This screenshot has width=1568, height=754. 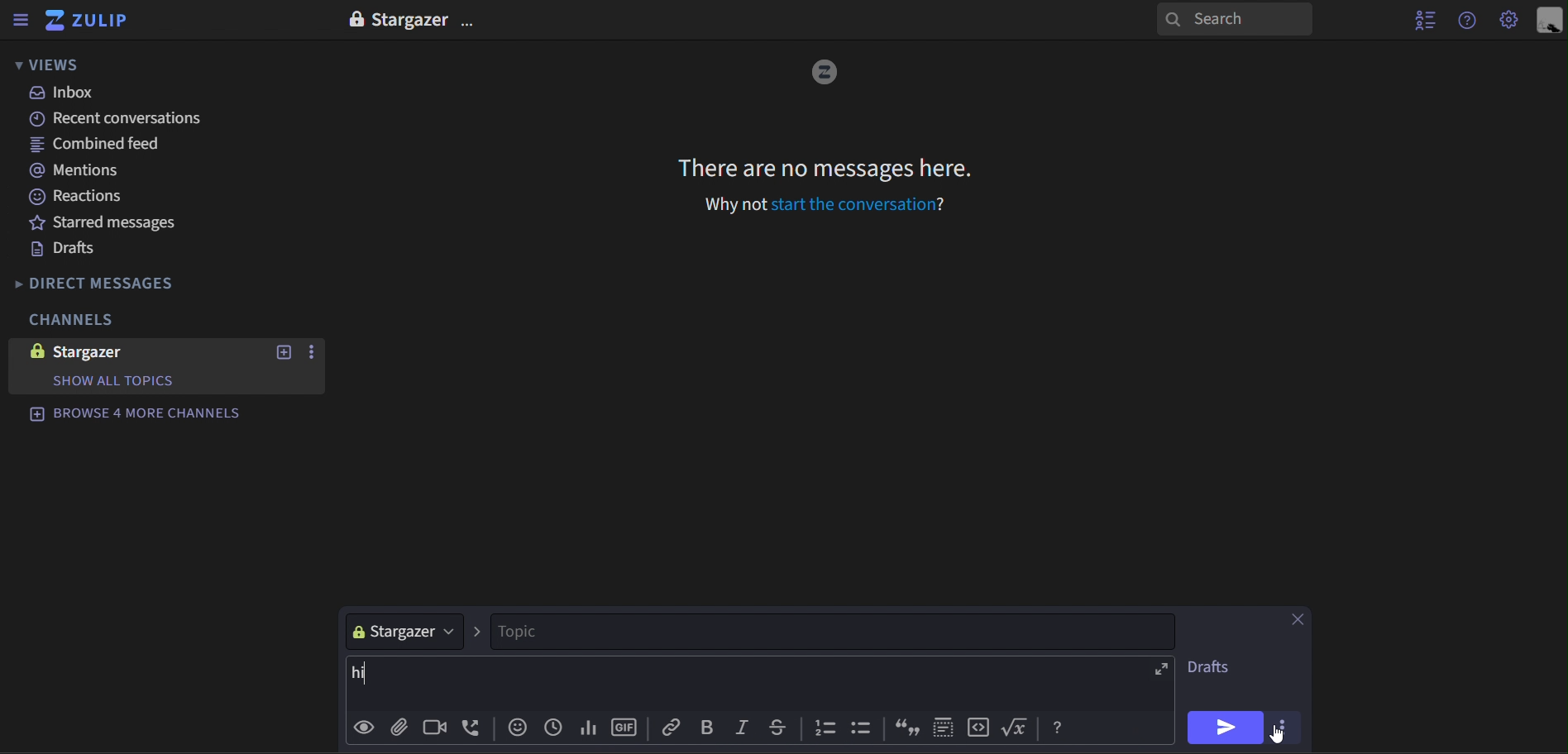 I want to click on browse 4 more channels, so click(x=138, y=414).